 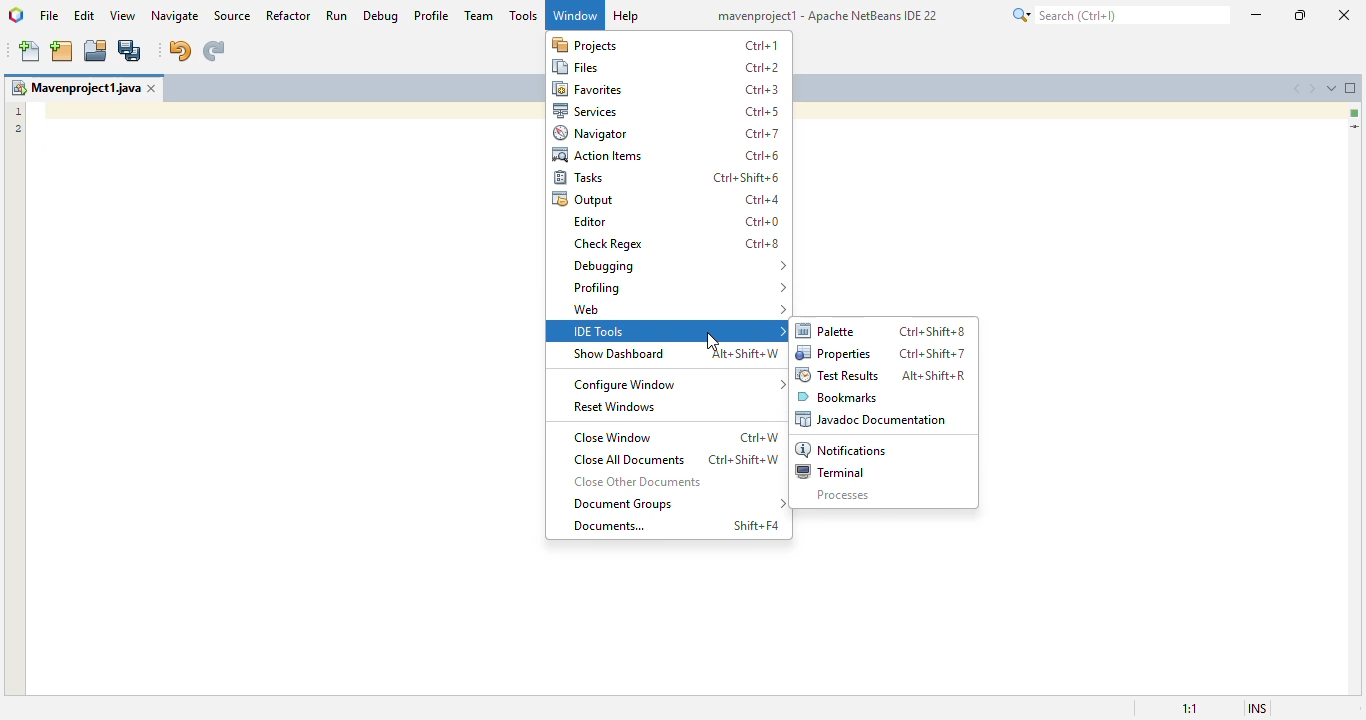 What do you see at coordinates (830, 15) in the screenshot?
I see `mavenproject1 - Apache Netbeans IDE 23` at bounding box center [830, 15].